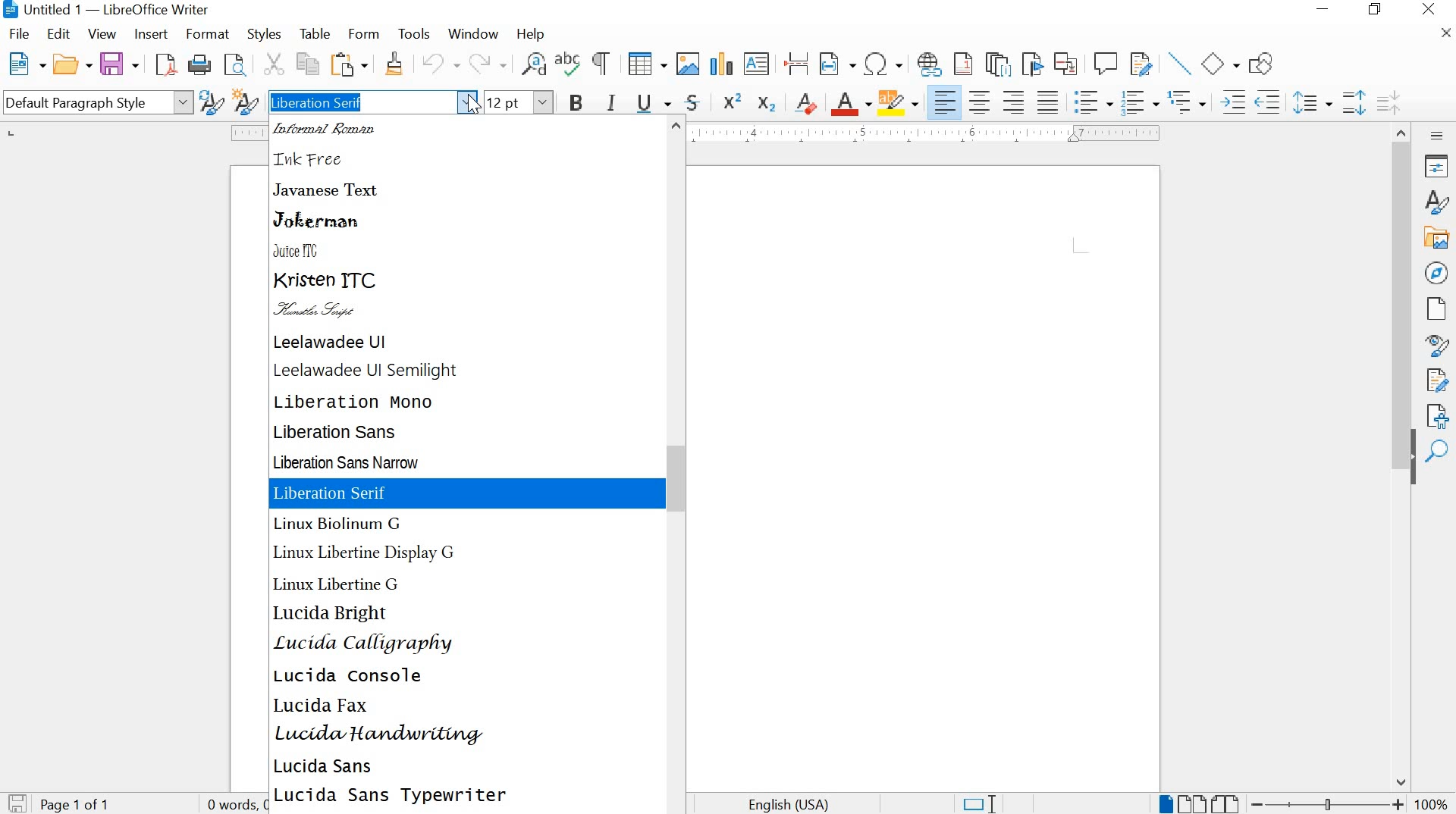  I want to click on SAVE AS PDF, so click(165, 66).